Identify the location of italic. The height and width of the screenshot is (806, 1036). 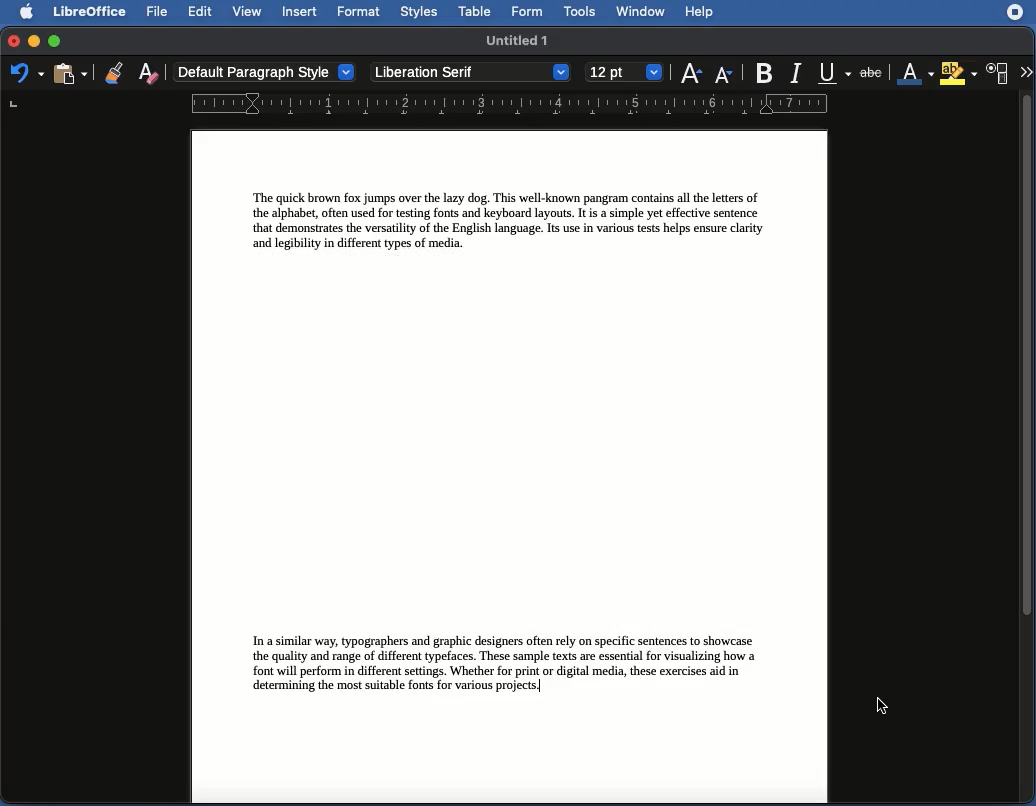
(795, 71).